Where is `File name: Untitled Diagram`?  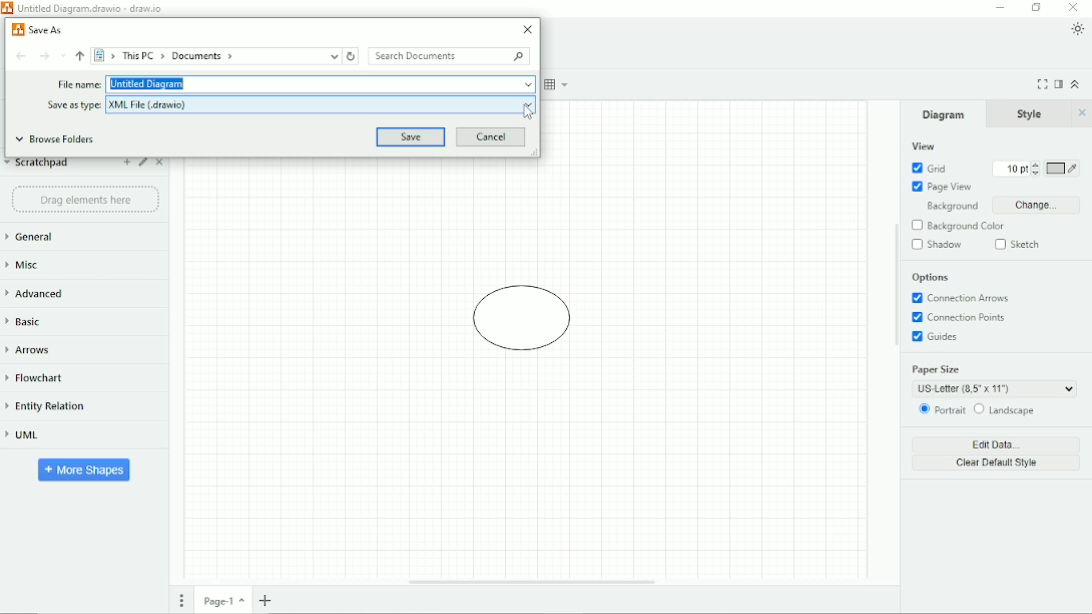
File name: Untitled Diagram is located at coordinates (295, 85).